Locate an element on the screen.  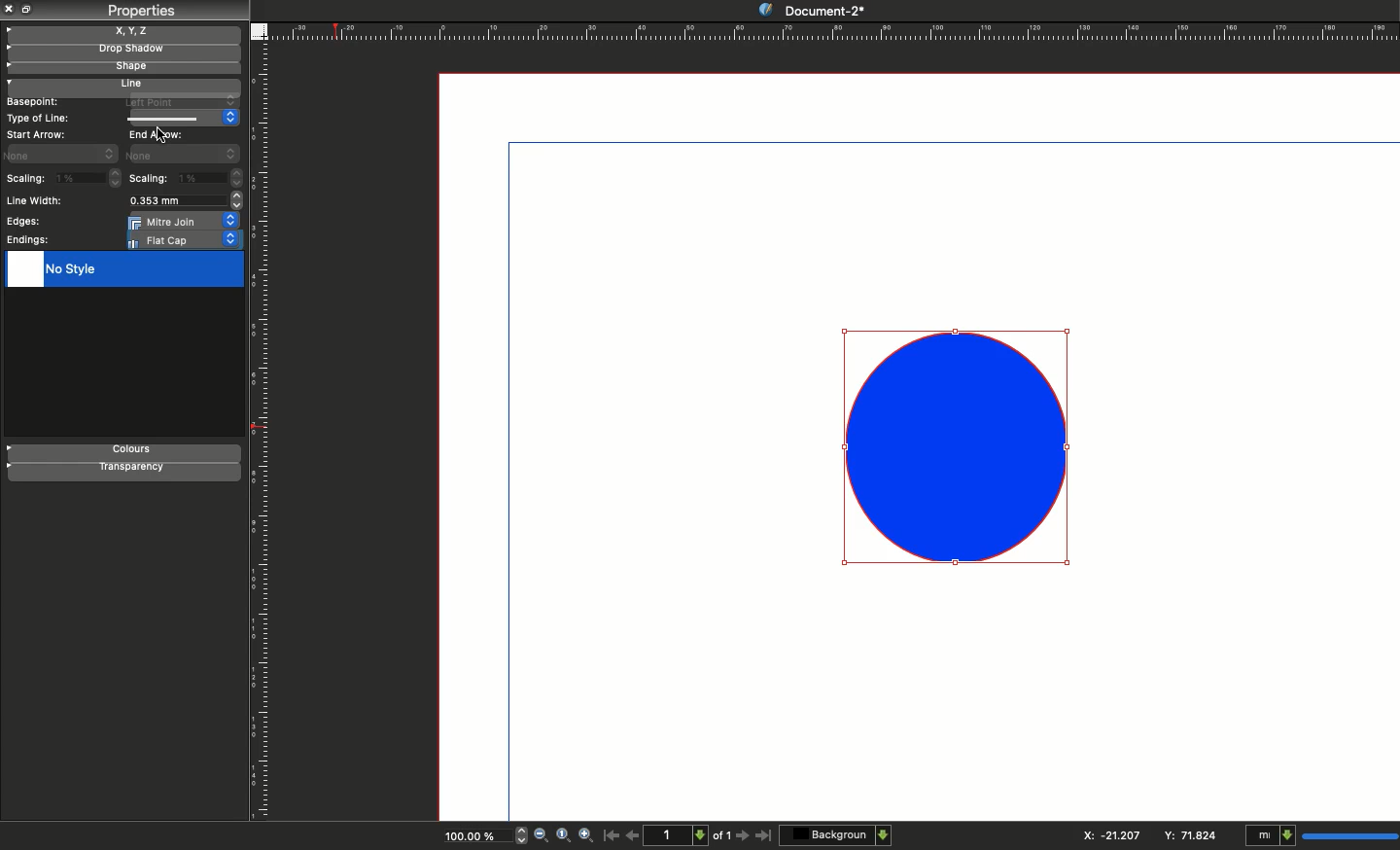
Zoom out is located at coordinates (541, 836).